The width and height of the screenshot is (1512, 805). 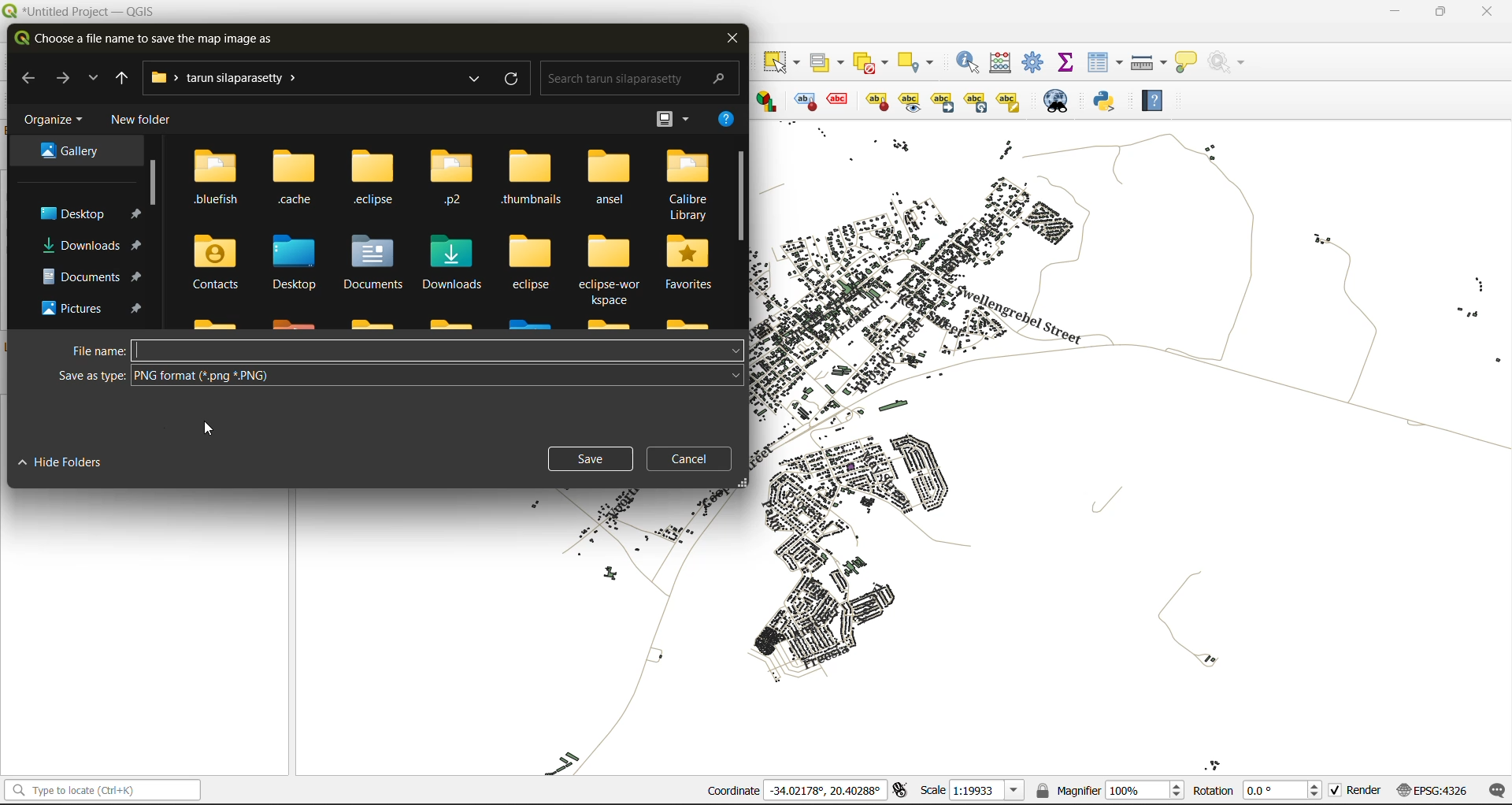 I want to click on vertical scroll bar, so click(x=740, y=198).